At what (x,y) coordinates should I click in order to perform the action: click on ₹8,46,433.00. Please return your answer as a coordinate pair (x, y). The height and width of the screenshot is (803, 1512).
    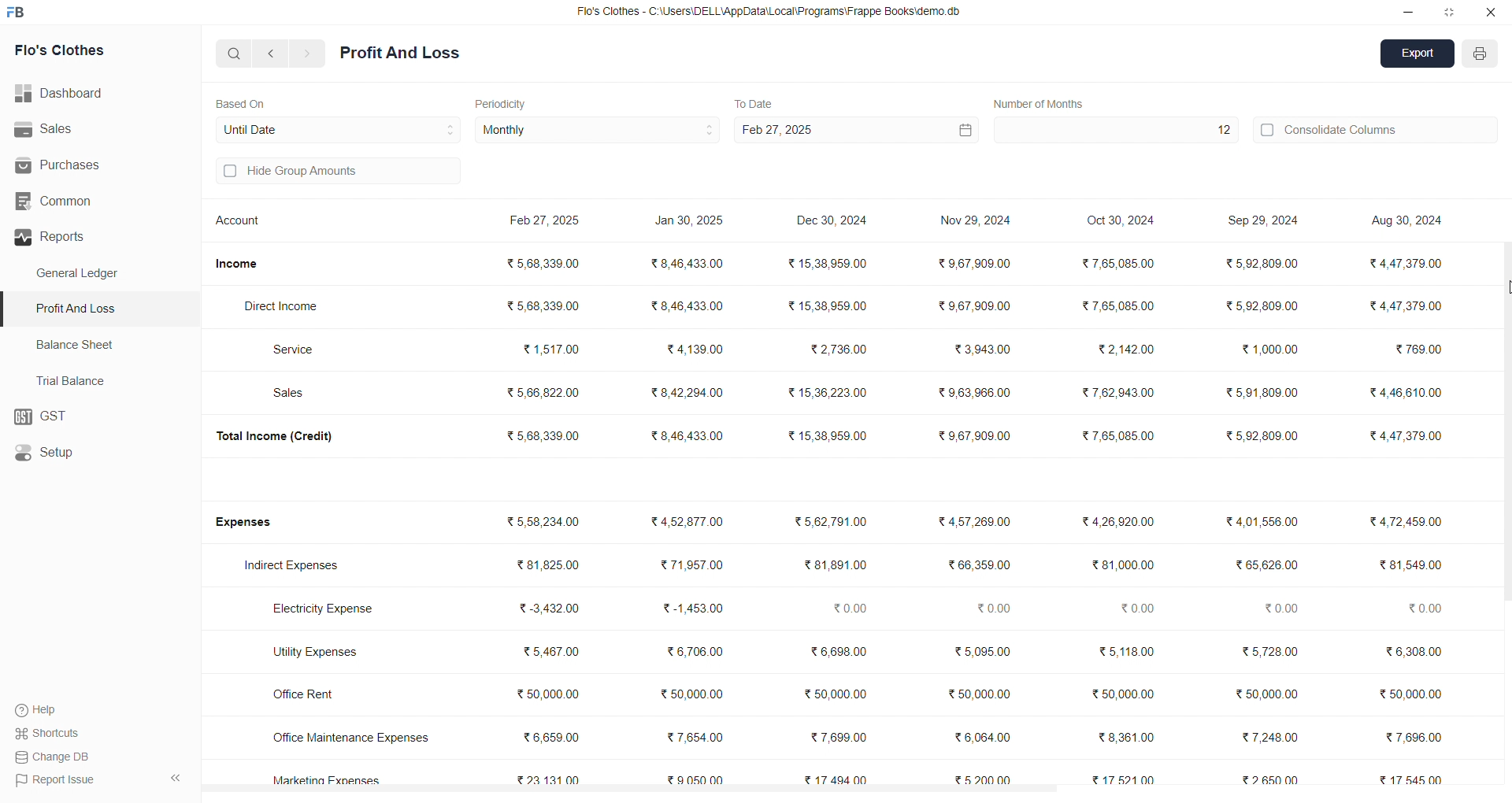
    Looking at the image, I should click on (688, 435).